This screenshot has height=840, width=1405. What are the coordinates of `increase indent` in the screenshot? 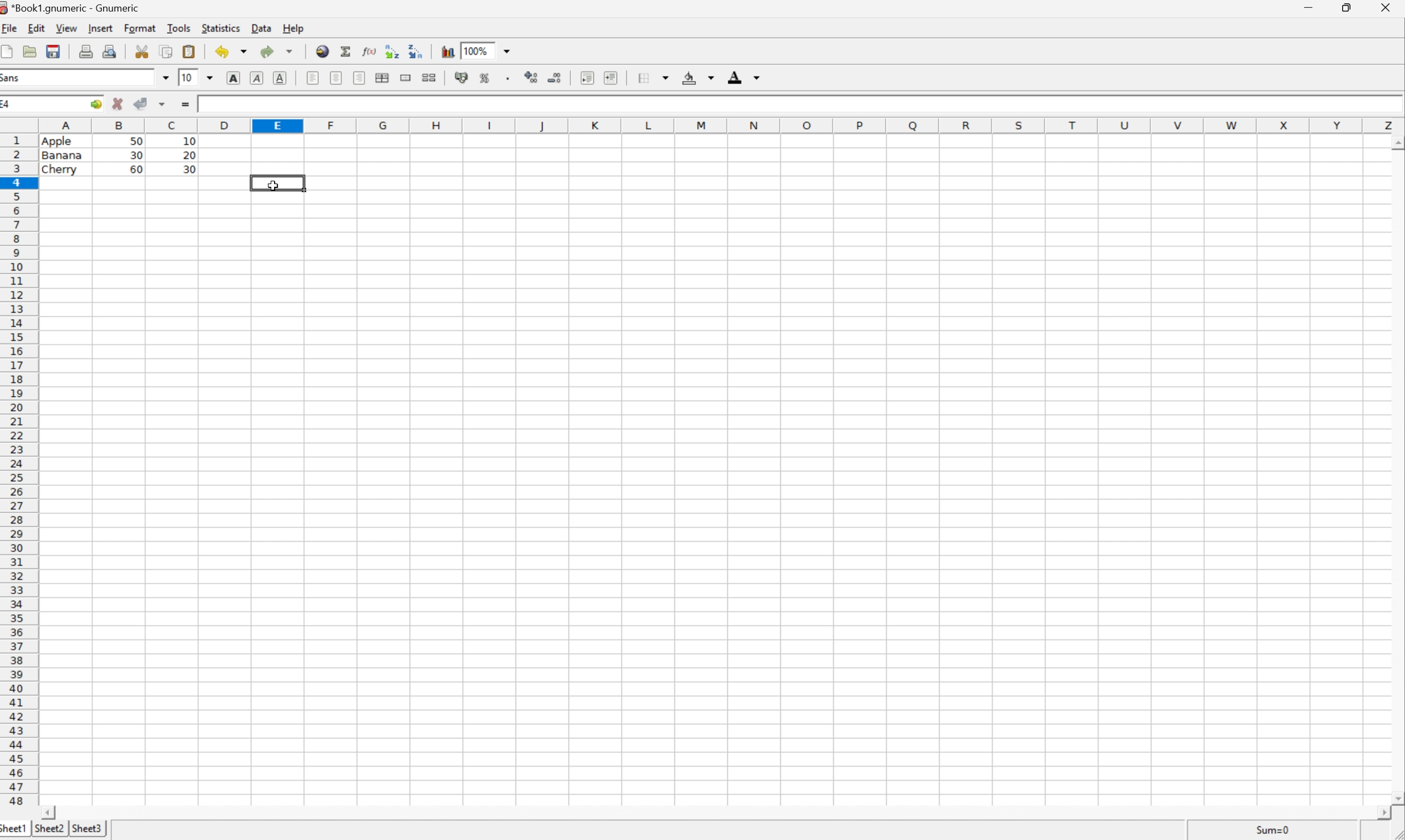 It's located at (611, 77).